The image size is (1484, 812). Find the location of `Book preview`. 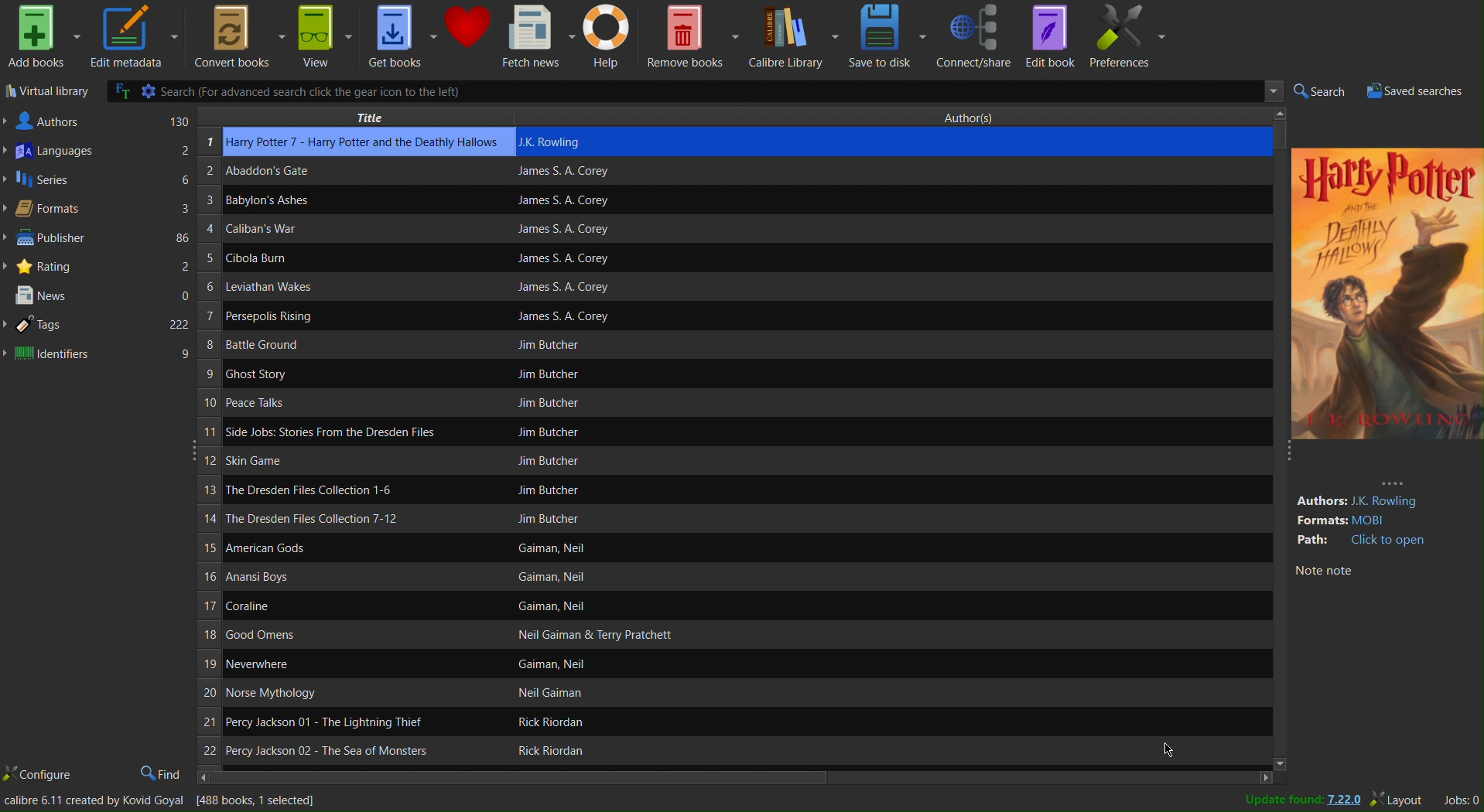

Book preview is located at coordinates (1388, 302).